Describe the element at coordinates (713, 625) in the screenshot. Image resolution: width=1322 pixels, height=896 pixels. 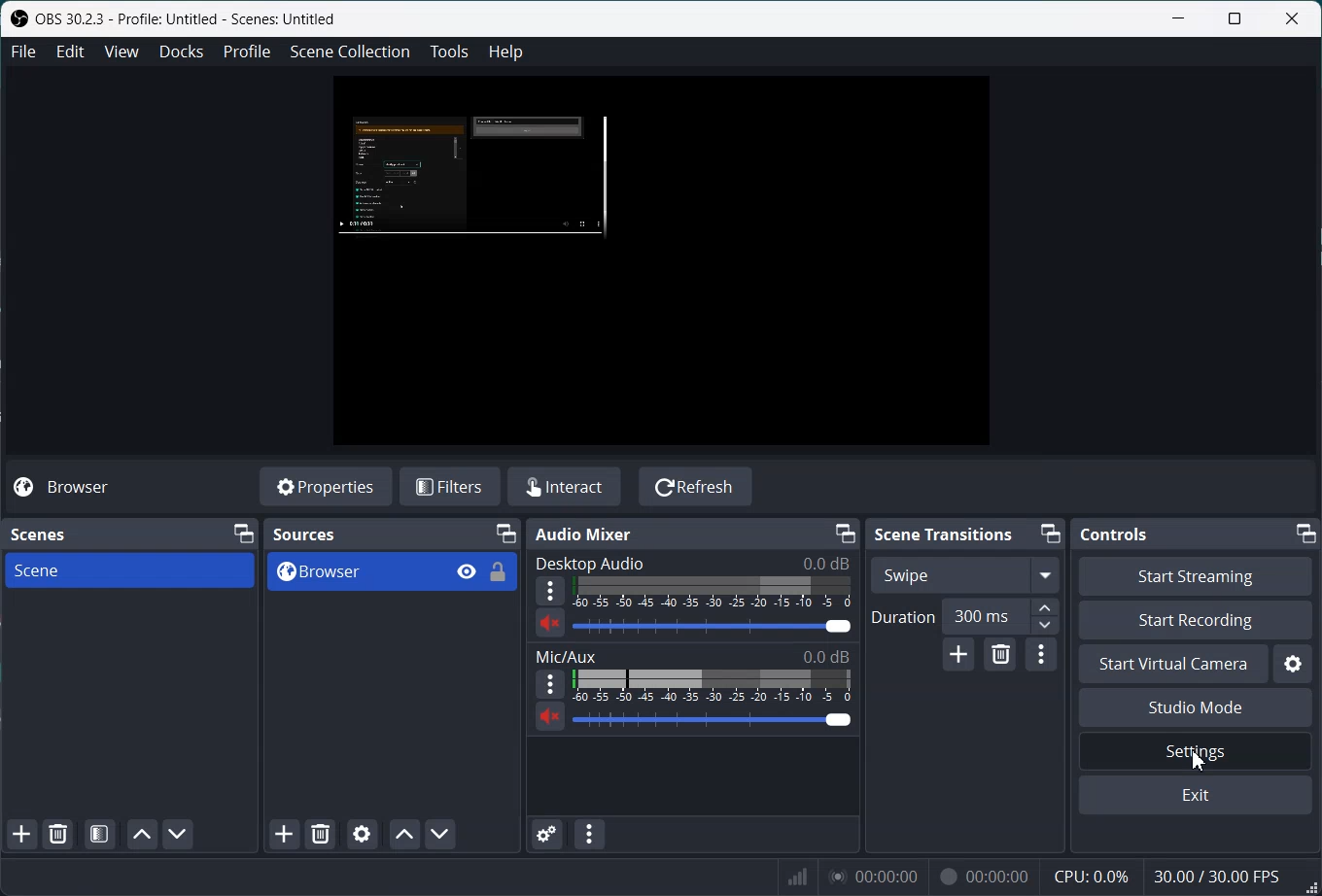
I see `Volume Adjuster` at that location.